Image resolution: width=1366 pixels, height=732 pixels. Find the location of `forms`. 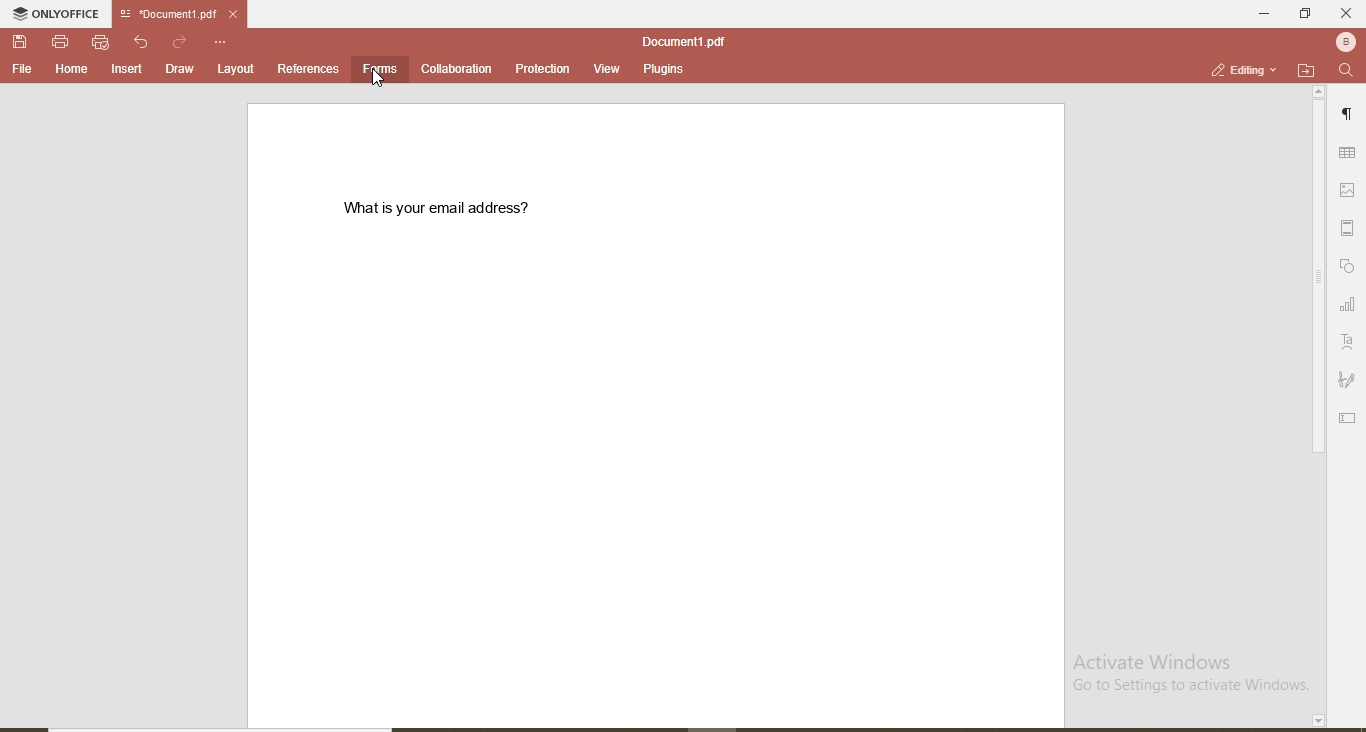

forms is located at coordinates (380, 68).